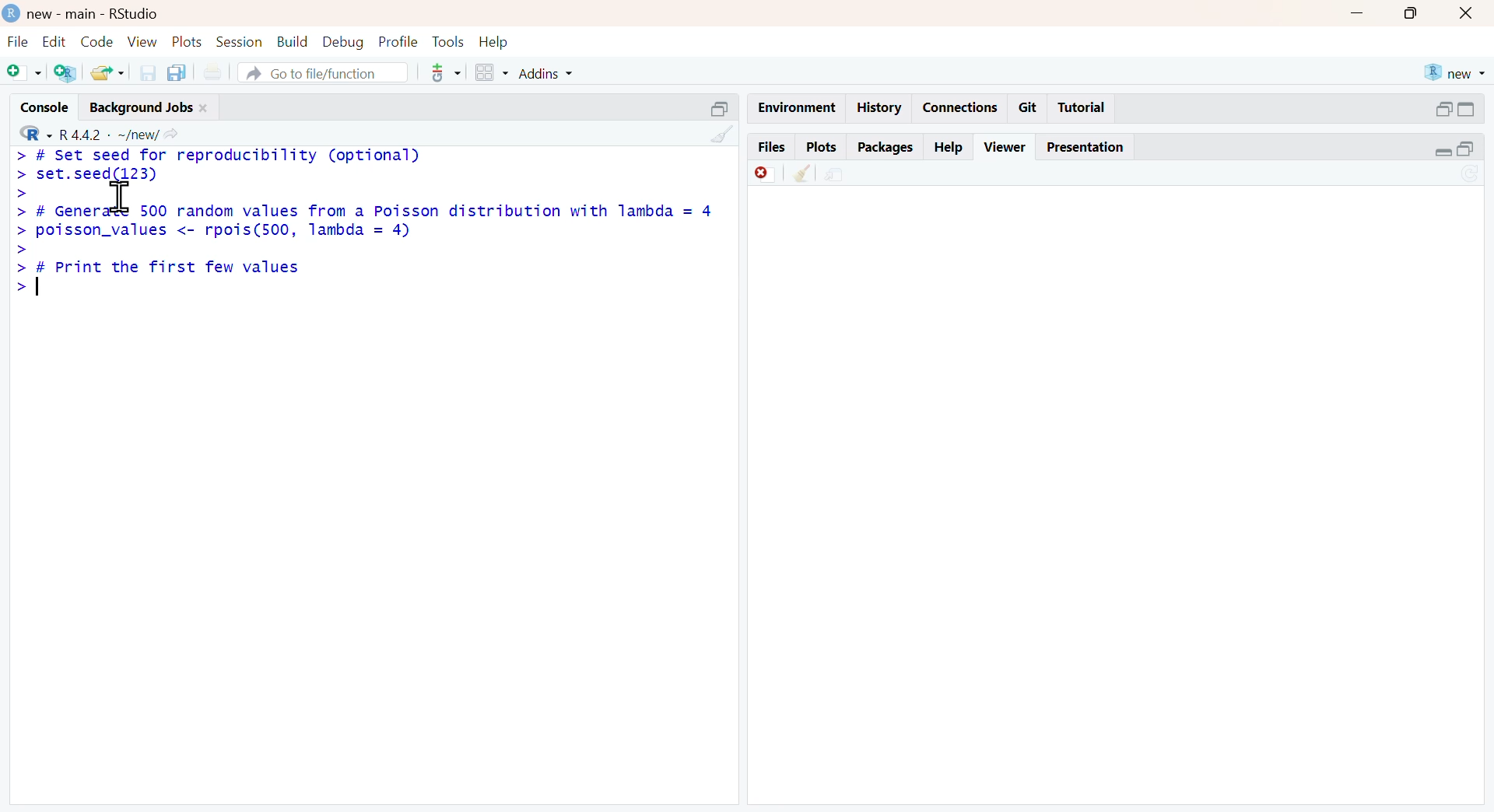 The height and width of the screenshot is (812, 1494). What do you see at coordinates (205, 108) in the screenshot?
I see `close` at bounding box center [205, 108].